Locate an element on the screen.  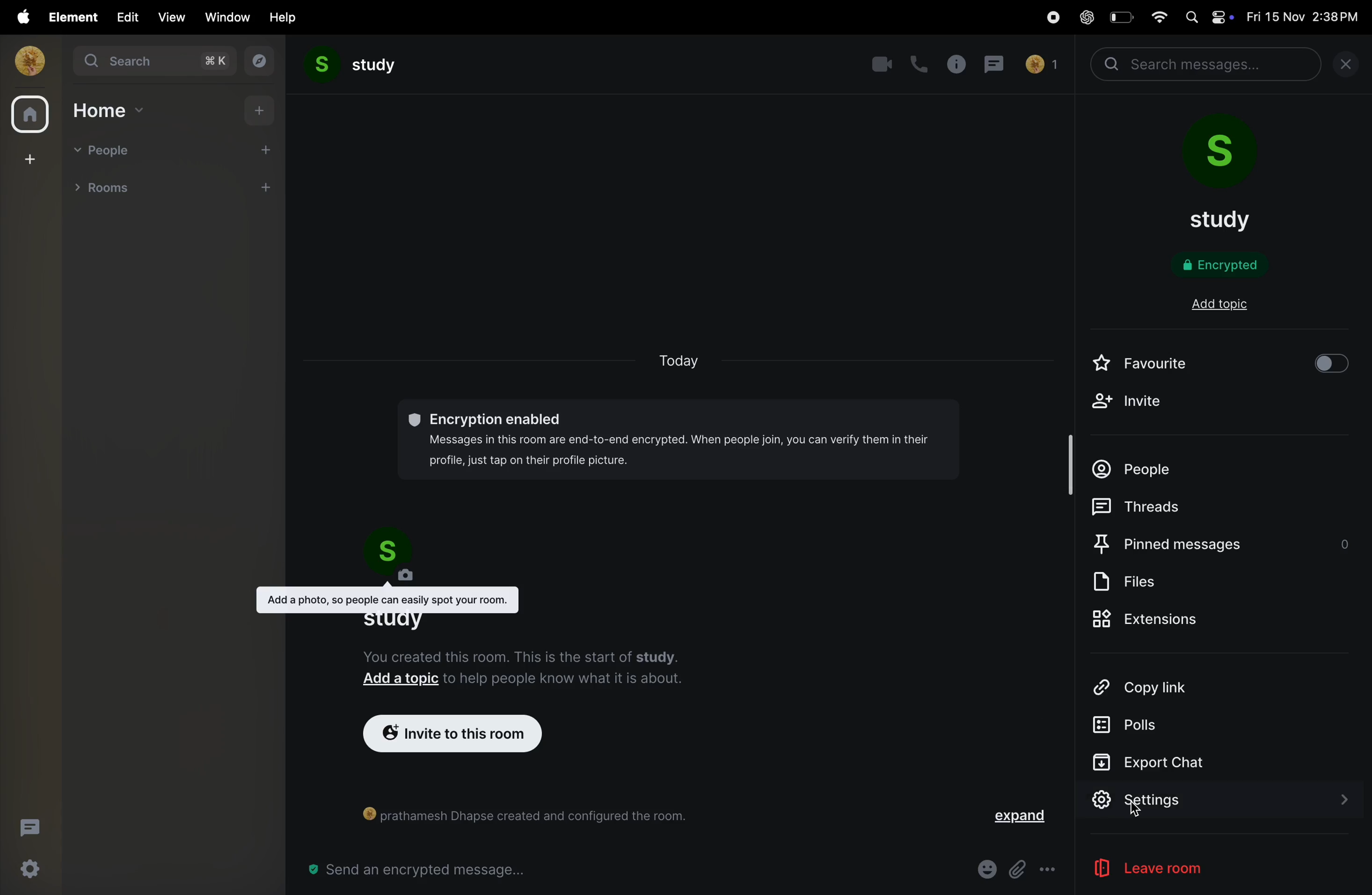
® Encryption enabled
Messages in this room are end-to-end encrypted. When people join, you can verify them in their
profile, just tap on their profile picture. is located at coordinates (676, 440).